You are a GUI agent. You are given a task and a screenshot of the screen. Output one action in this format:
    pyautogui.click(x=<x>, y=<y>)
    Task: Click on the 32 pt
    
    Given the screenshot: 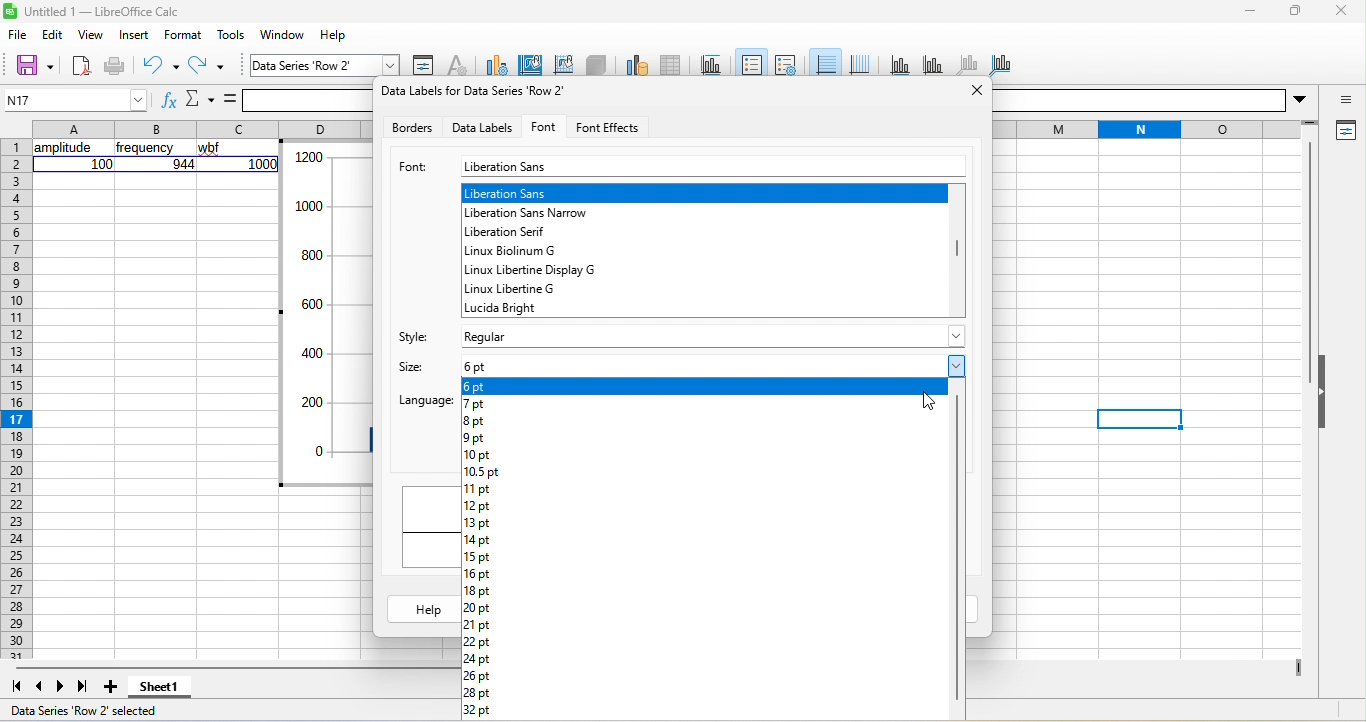 What is the action you would take?
    pyautogui.click(x=478, y=711)
    